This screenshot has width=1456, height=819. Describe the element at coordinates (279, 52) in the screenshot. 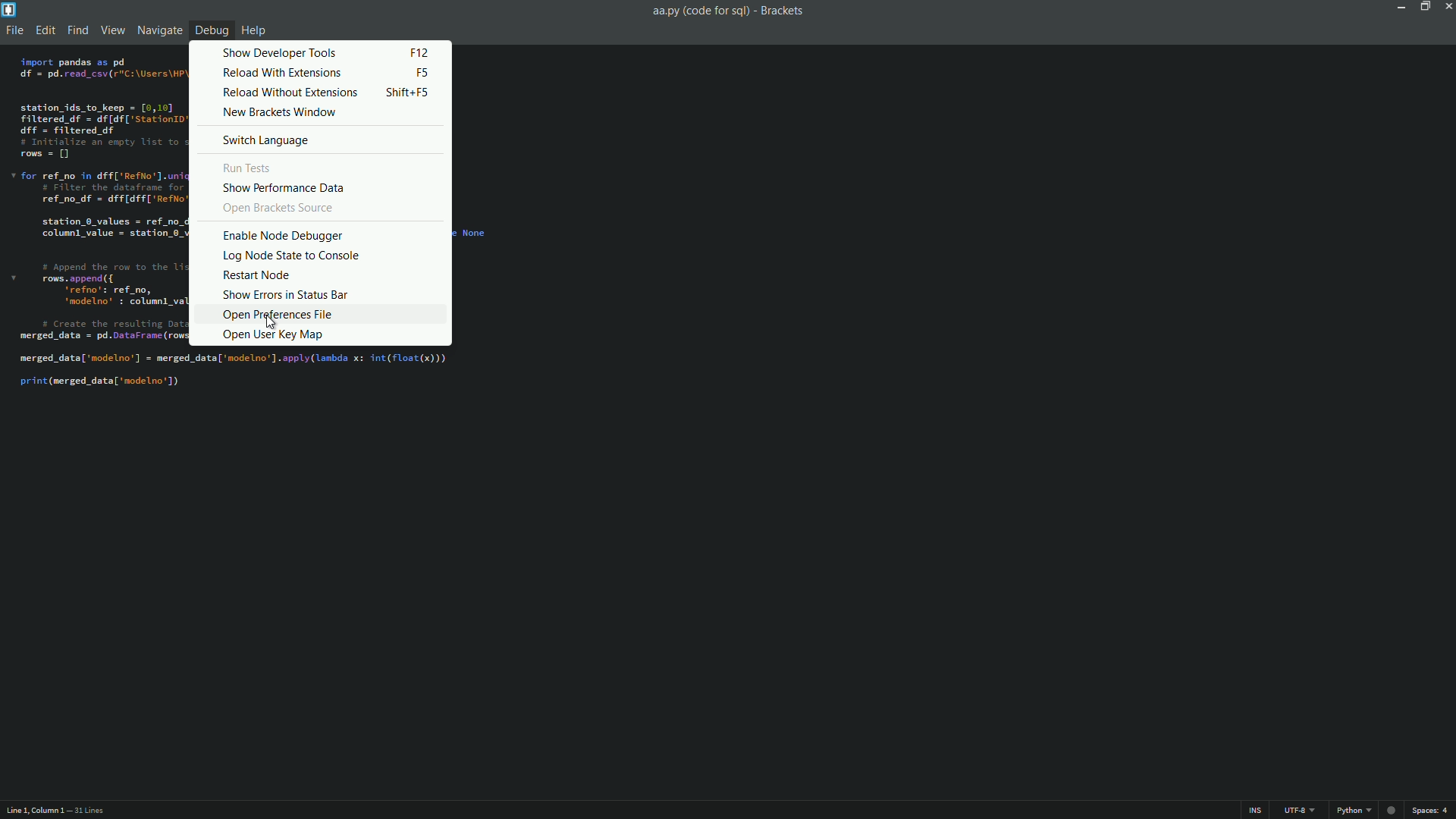

I see `show developer tools` at that location.